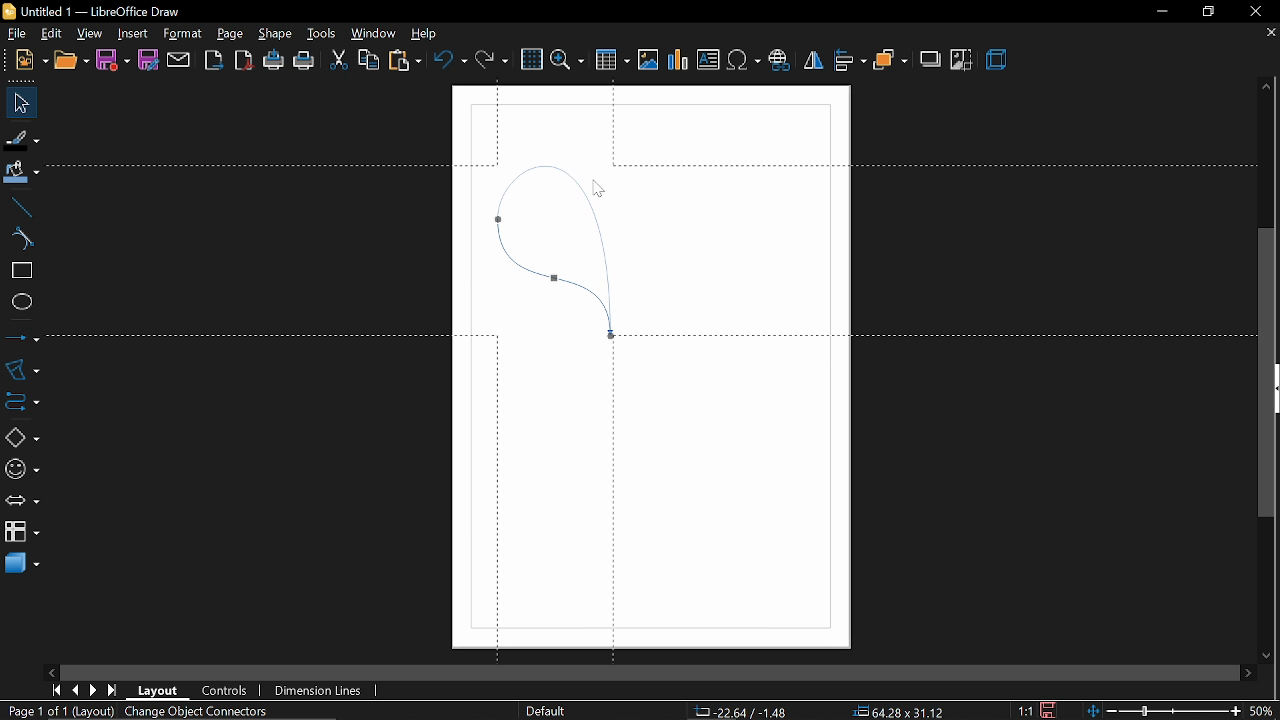 The height and width of the screenshot is (720, 1280). I want to click on new, so click(24, 62).